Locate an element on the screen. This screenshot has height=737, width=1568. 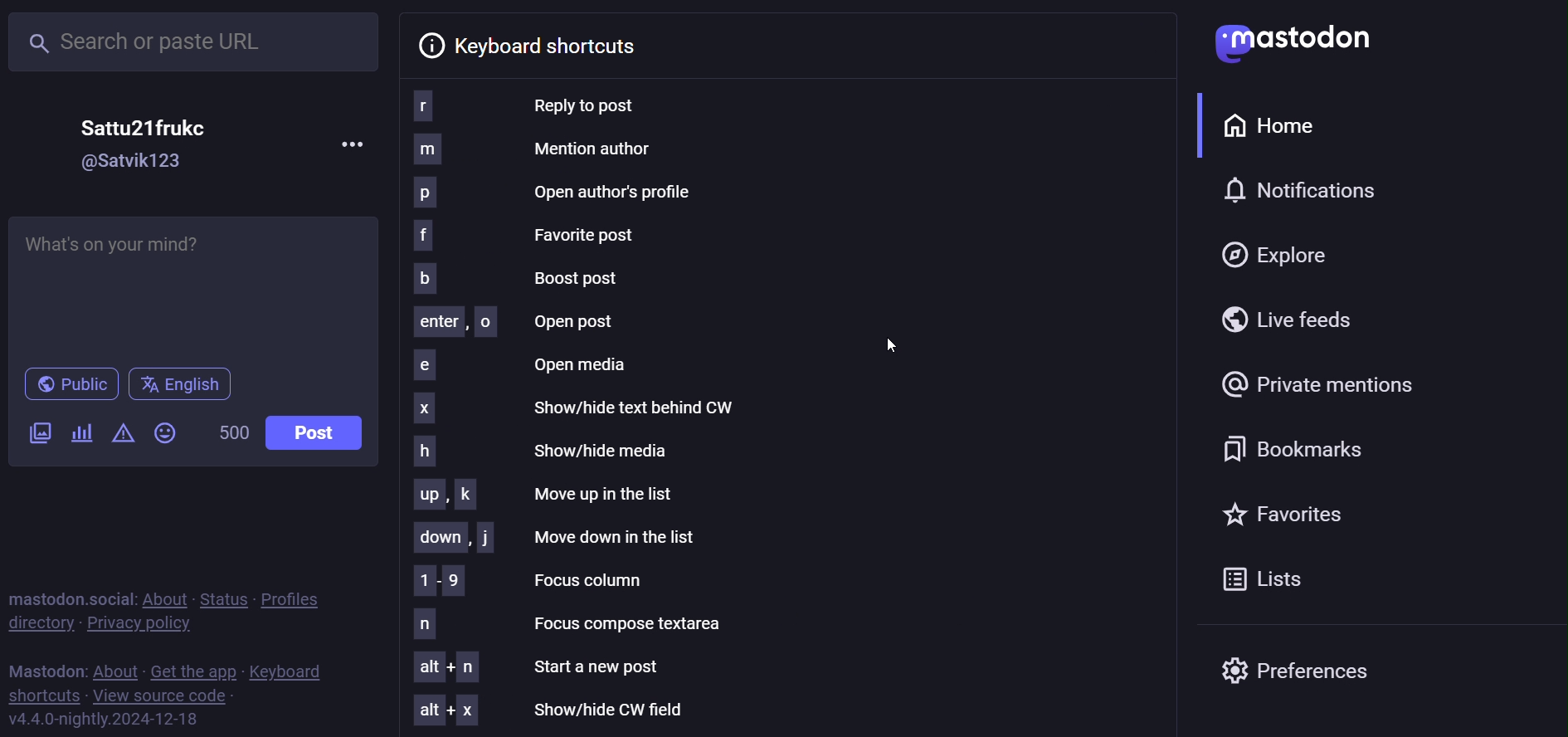
mention author is located at coordinates (535, 150).